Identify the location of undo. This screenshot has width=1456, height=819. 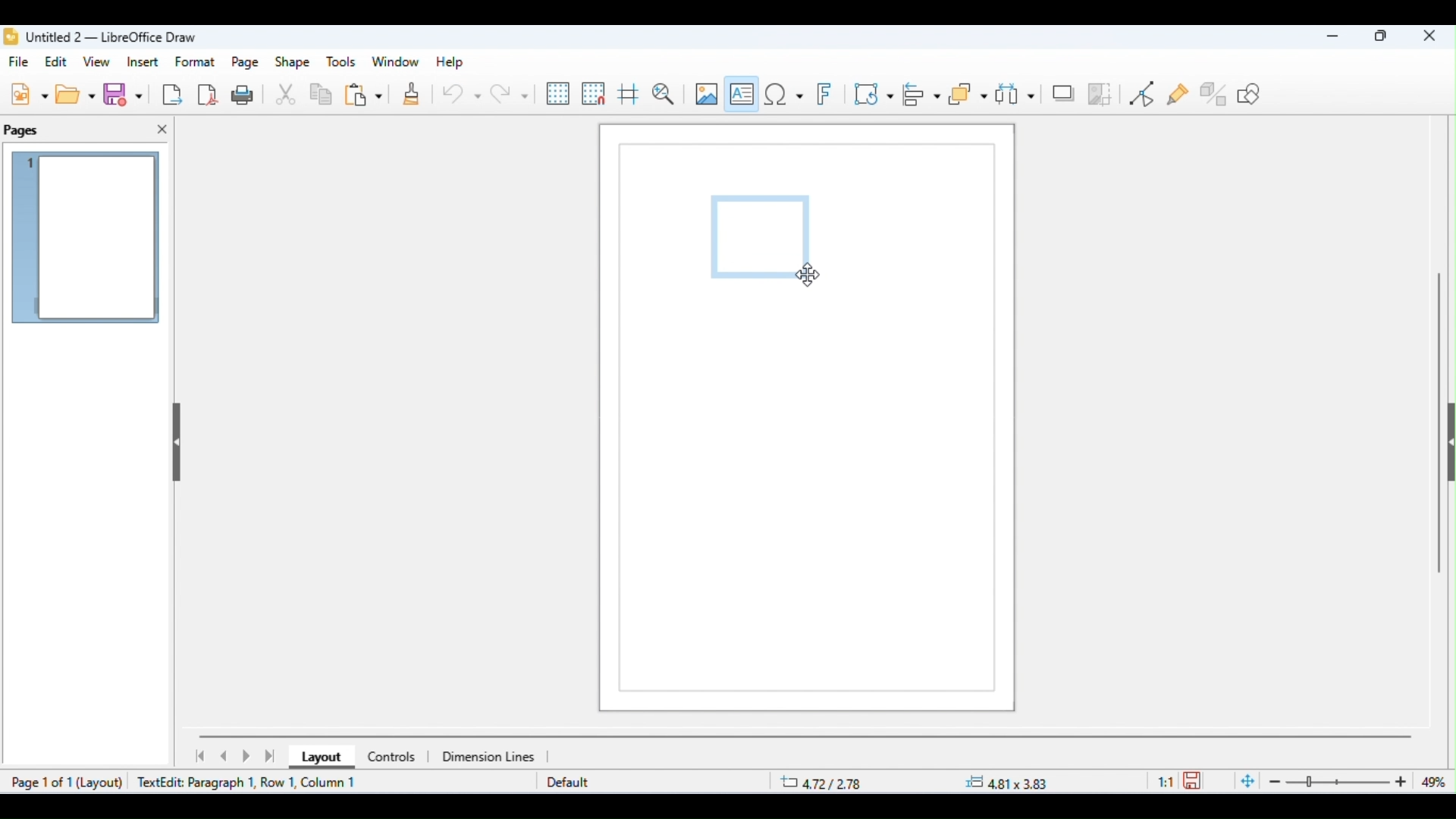
(461, 96).